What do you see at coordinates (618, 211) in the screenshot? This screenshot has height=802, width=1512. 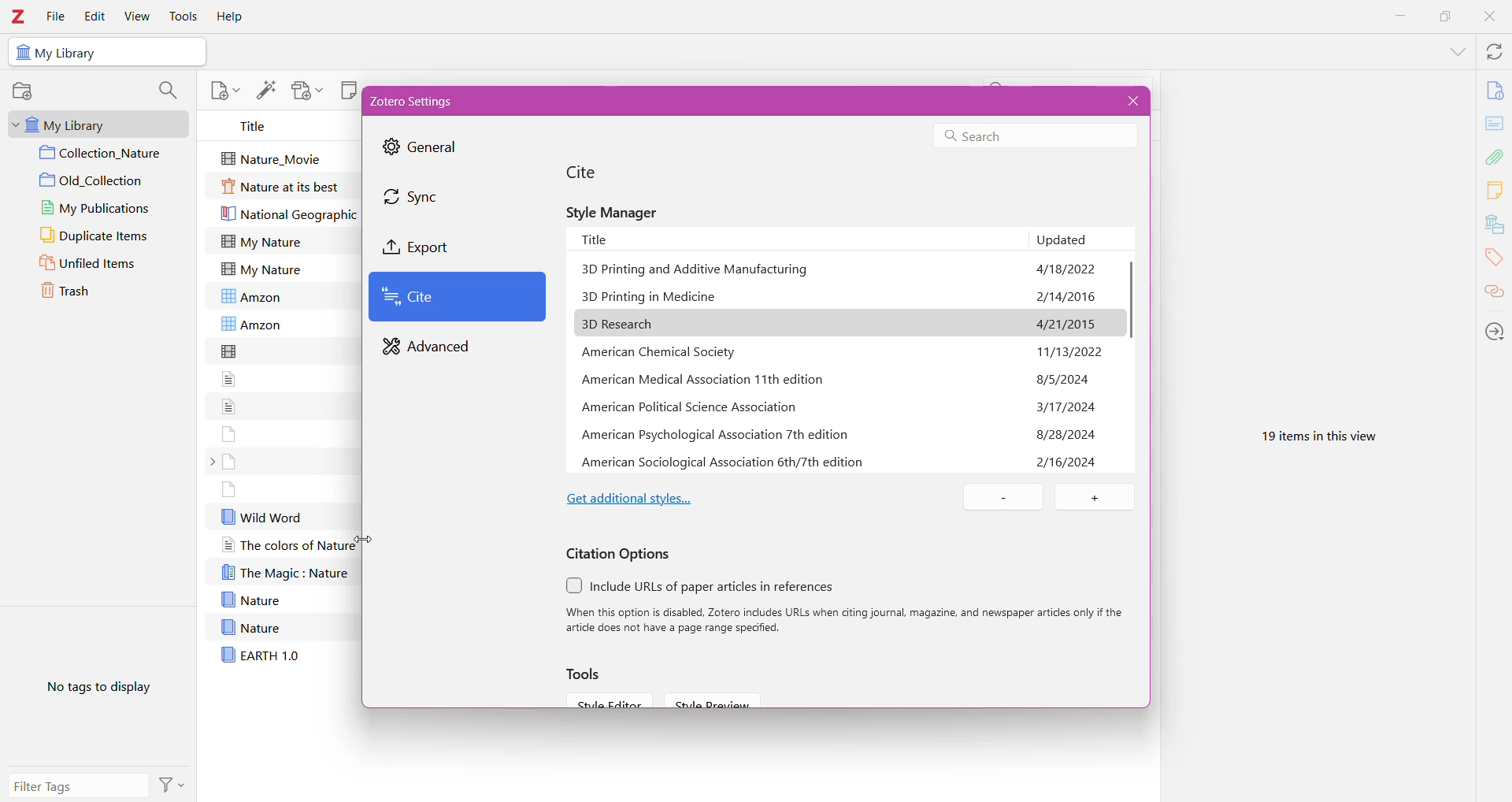 I see `Style Manager` at bounding box center [618, 211].